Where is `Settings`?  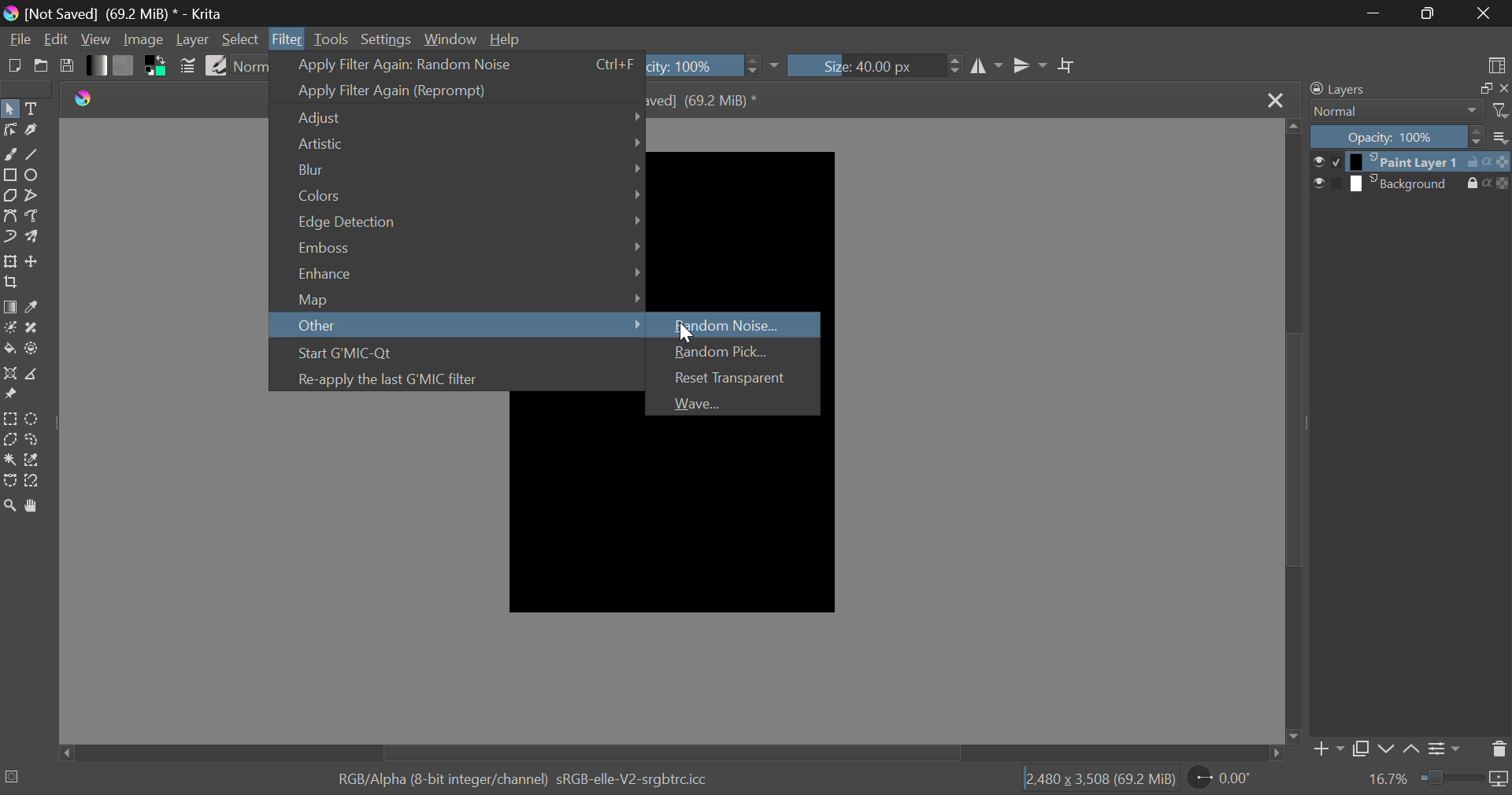 Settings is located at coordinates (1443, 748).